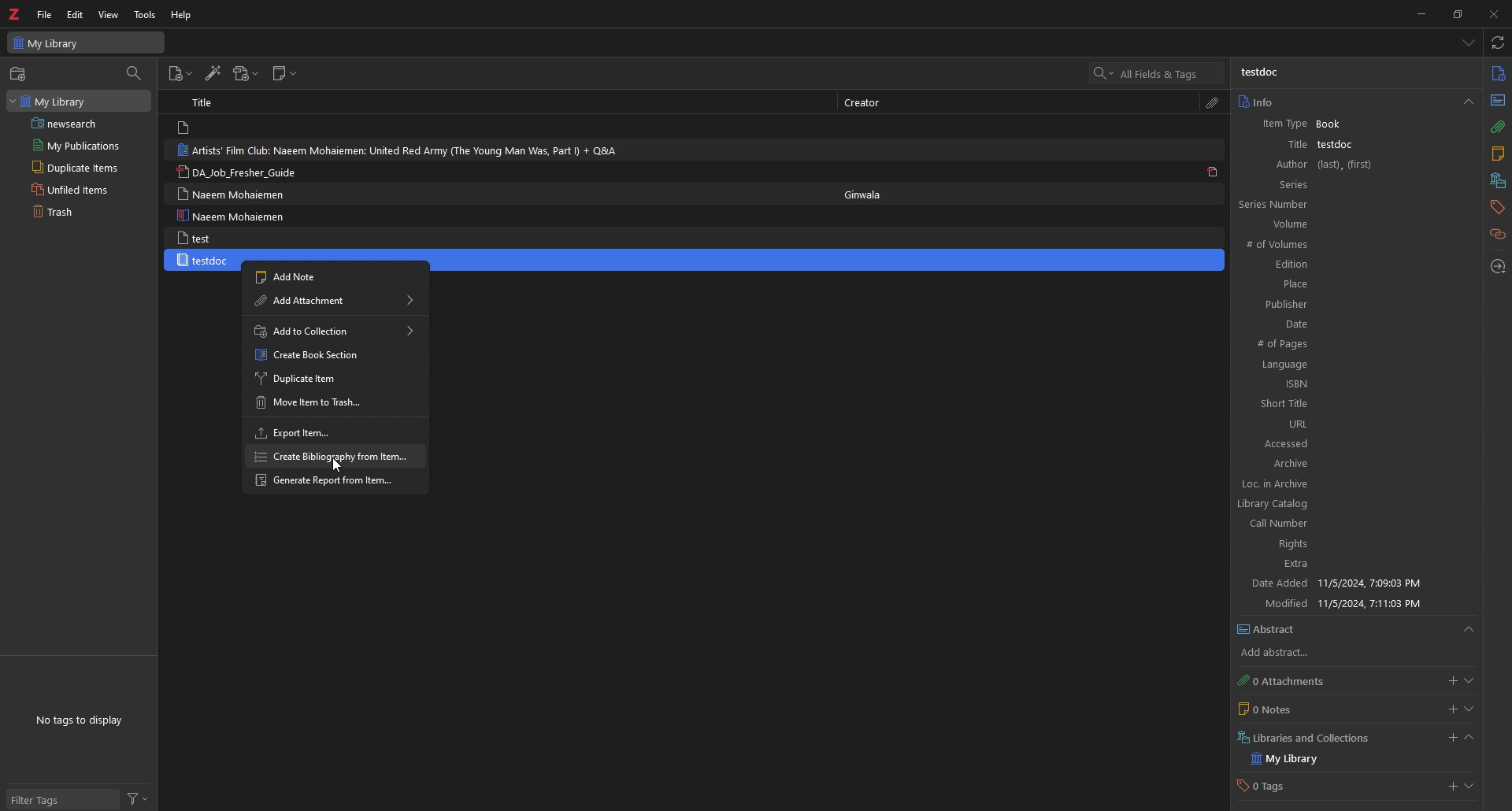 The height and width of the screenshot is (811, 1512). Describe the element at coordinates (1158, 73) in the screenshot. I see `search` at that location.